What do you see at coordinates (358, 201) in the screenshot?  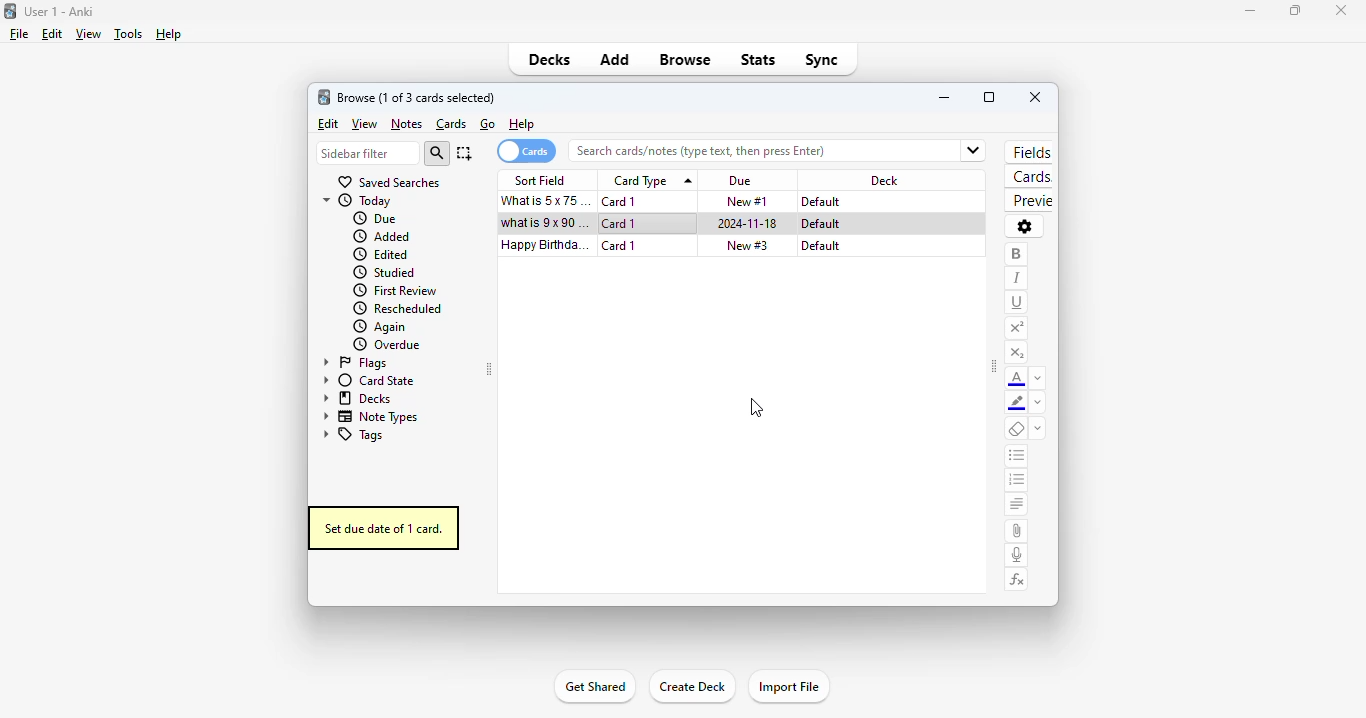 I see `today` at bounding box center [358, 201].